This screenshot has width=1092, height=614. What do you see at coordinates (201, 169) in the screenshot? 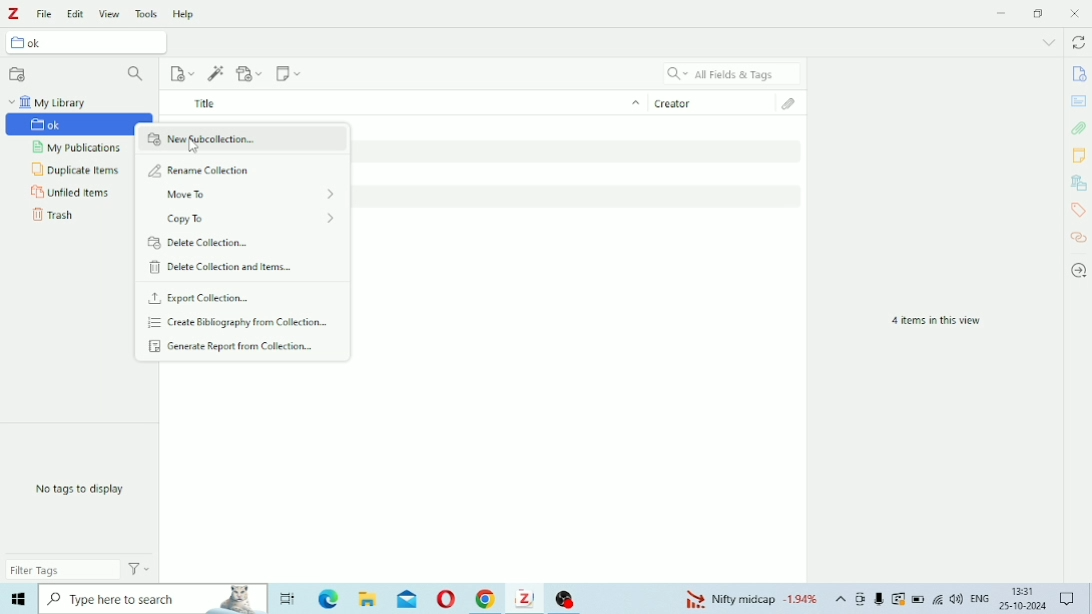
I see `Rename Collection` at bounding box center [201, 169].